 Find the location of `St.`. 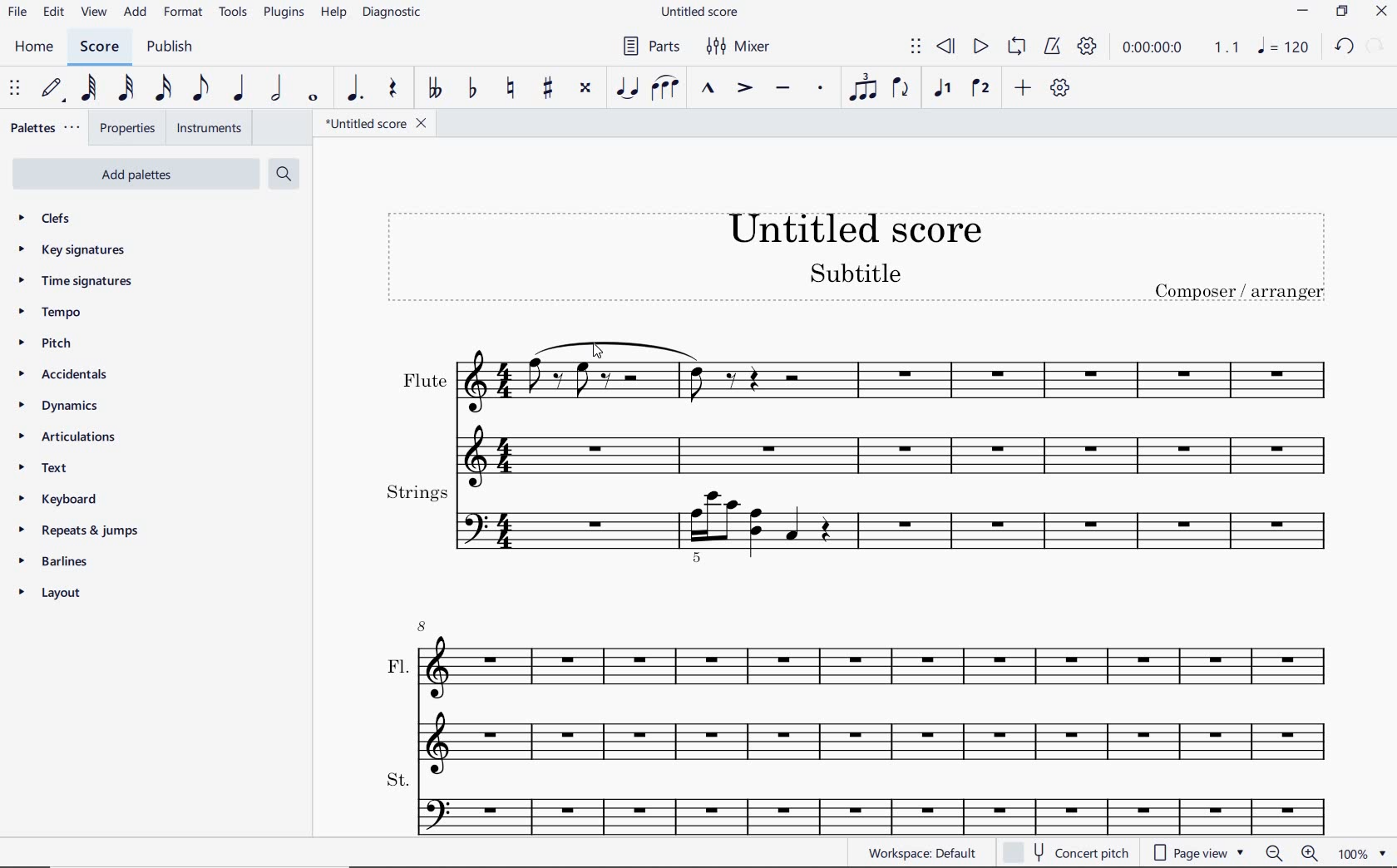

St. is located at coordinates (860, 803).